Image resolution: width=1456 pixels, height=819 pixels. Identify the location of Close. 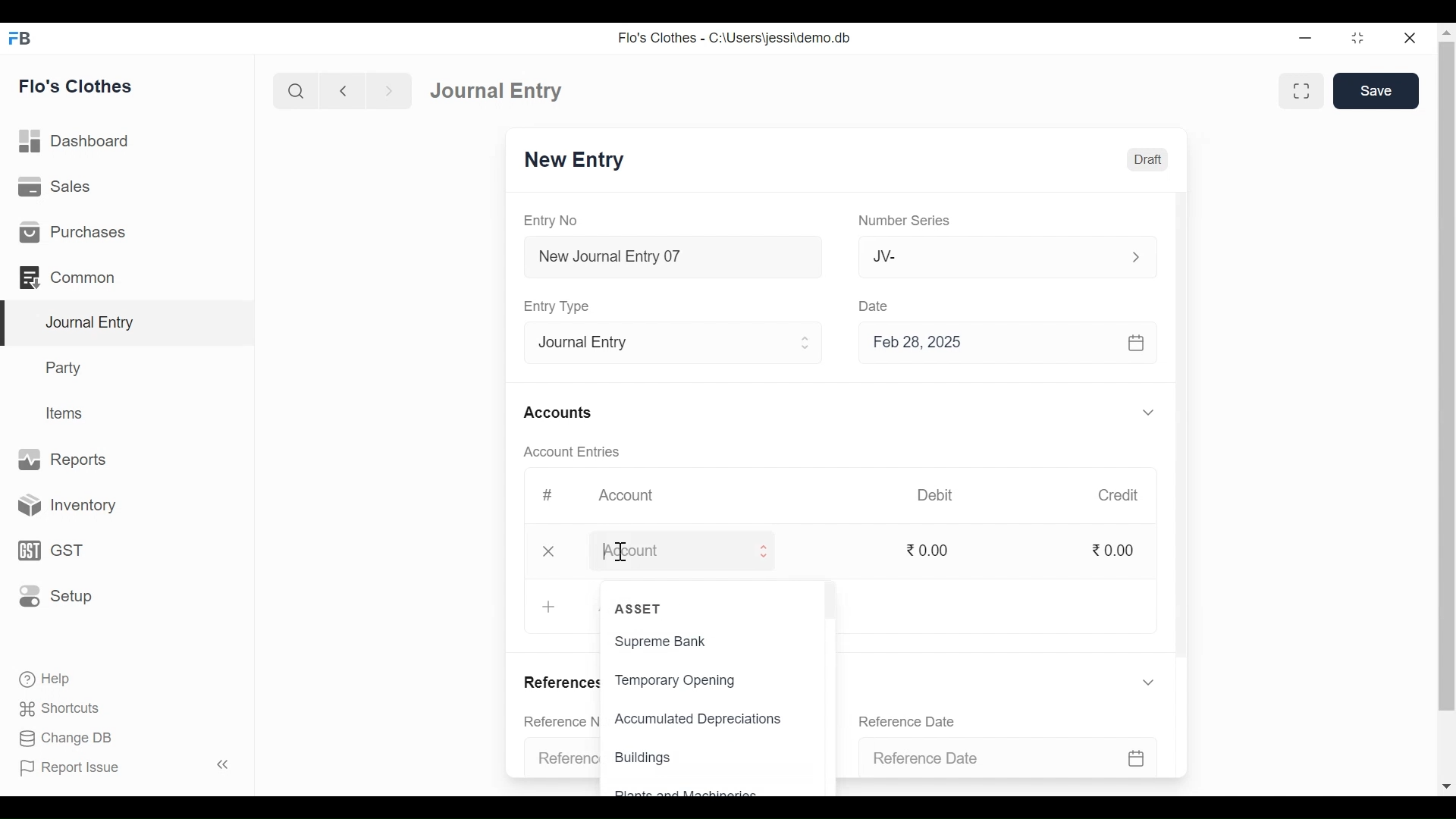
(1413, 39).